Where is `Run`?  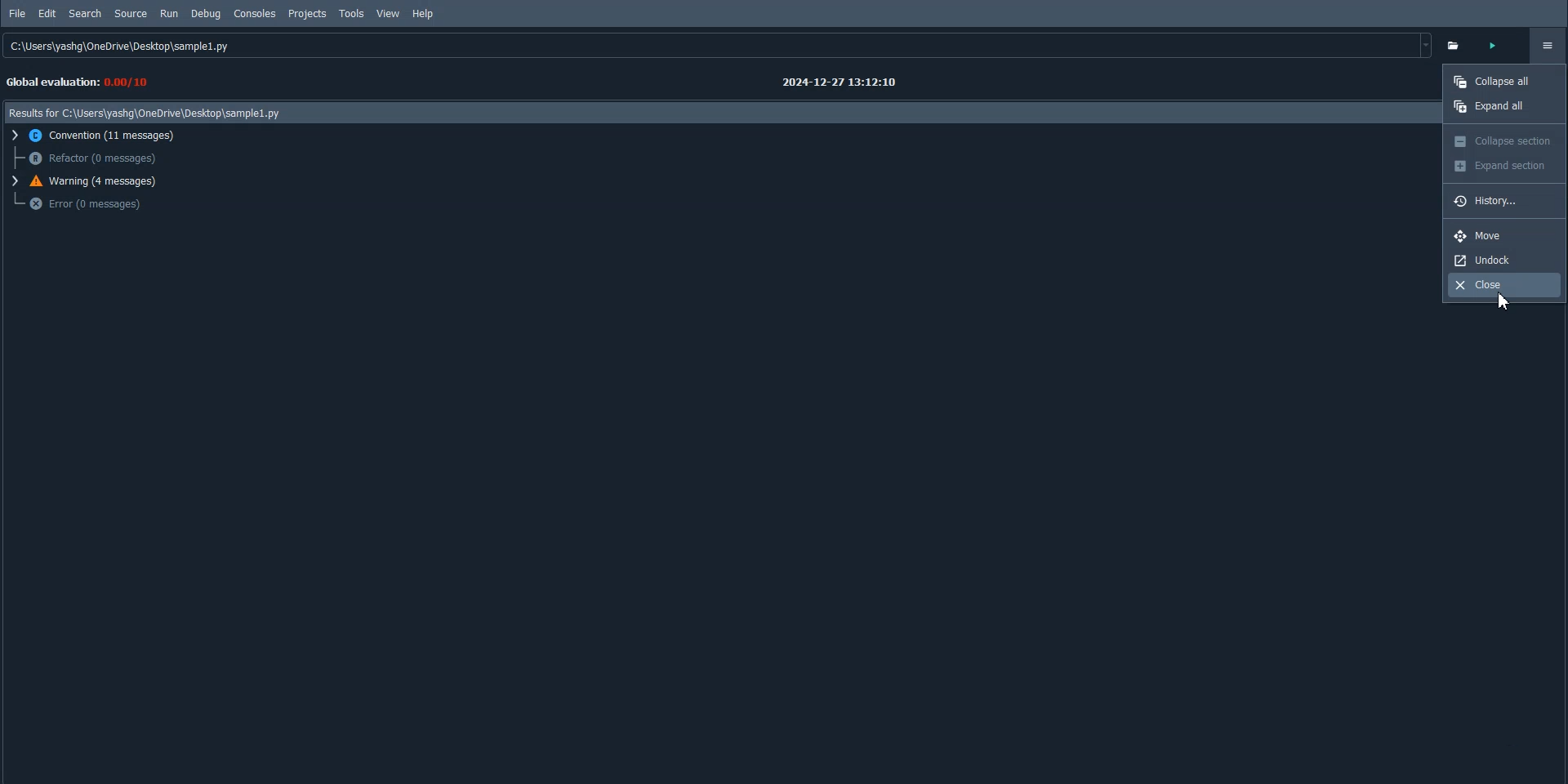
Run is located at coordinates (168, 14).